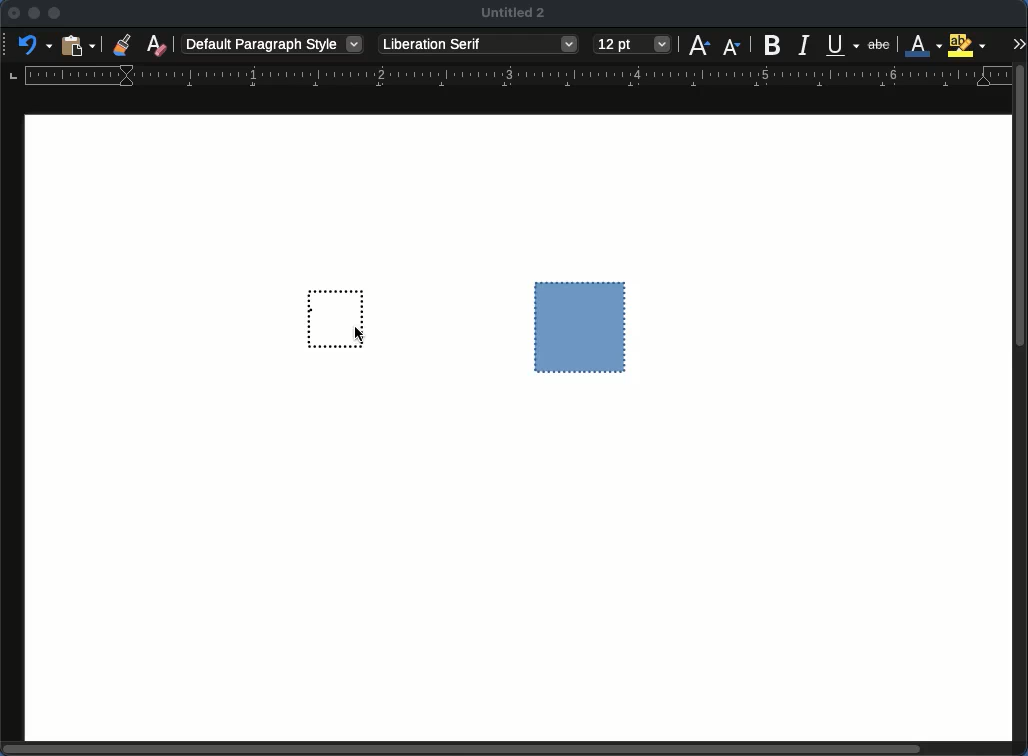 Image resolution: width=1028 pixels, height=756 pixels. I want to click on size increase, so click(698, 45).